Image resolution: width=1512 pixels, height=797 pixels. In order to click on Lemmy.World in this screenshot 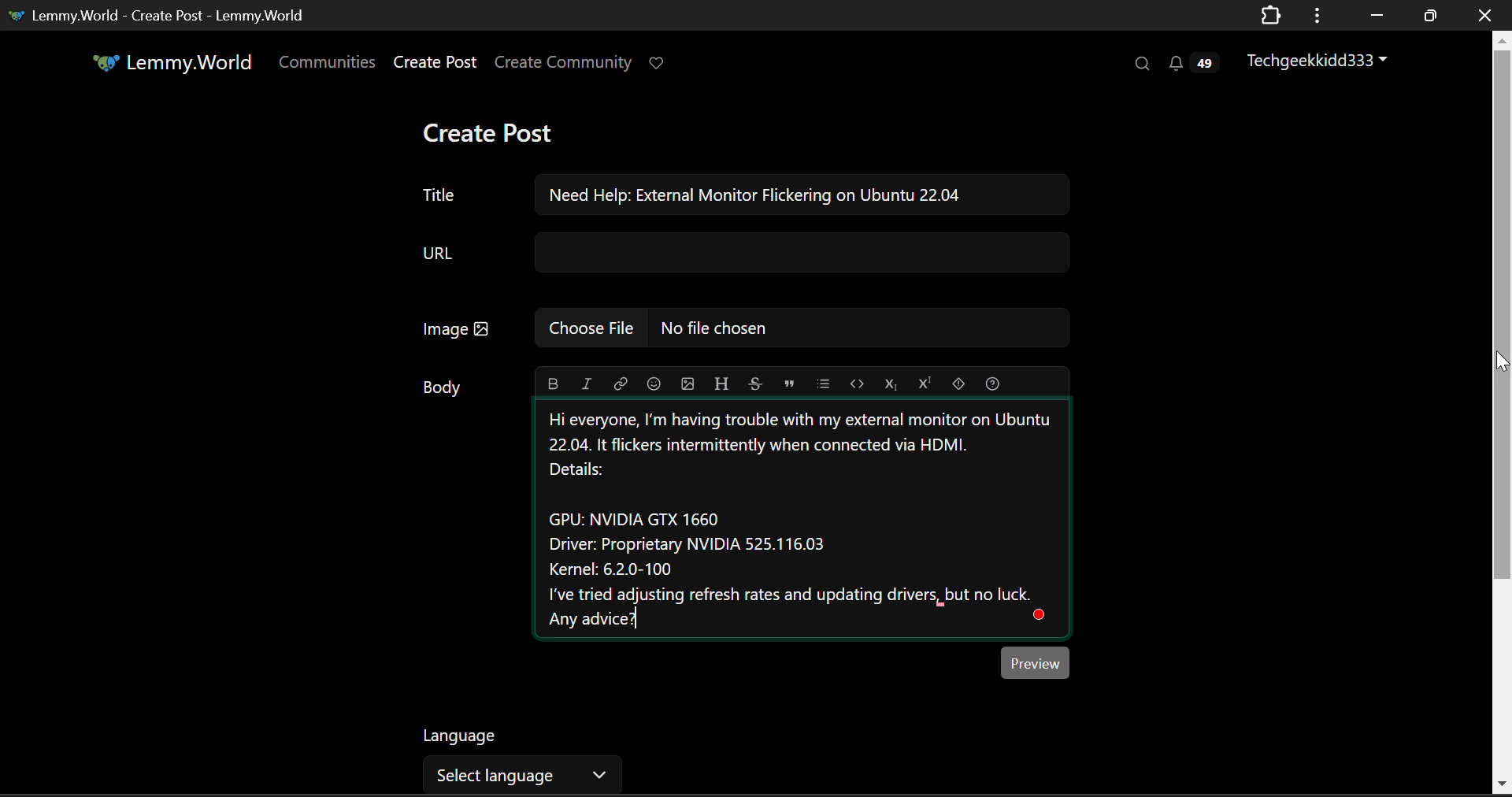, I will do `click(162, 62)`.